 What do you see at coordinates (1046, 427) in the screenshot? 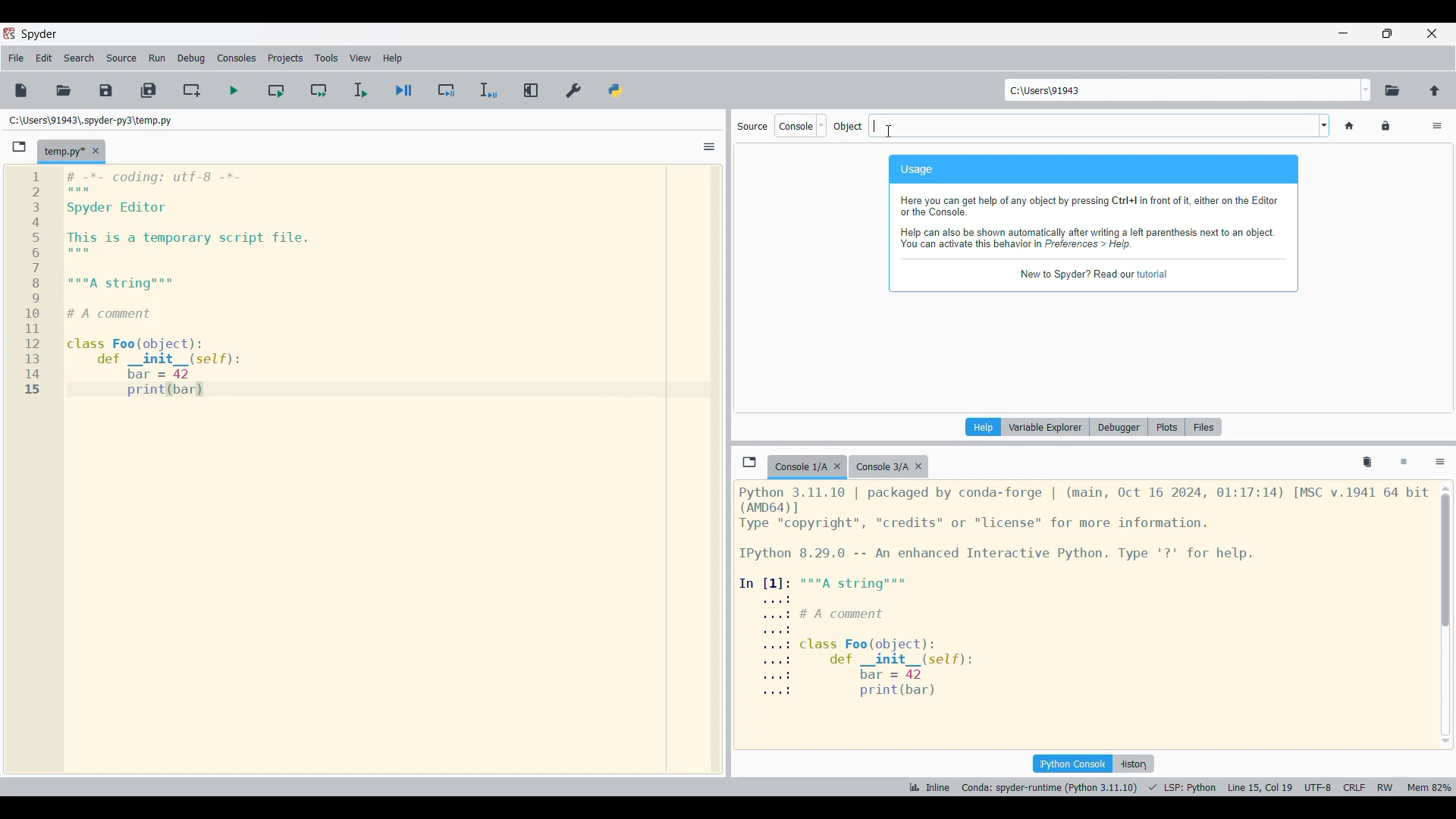
I see `Variable explorer` at bounding box center [1046, 427].